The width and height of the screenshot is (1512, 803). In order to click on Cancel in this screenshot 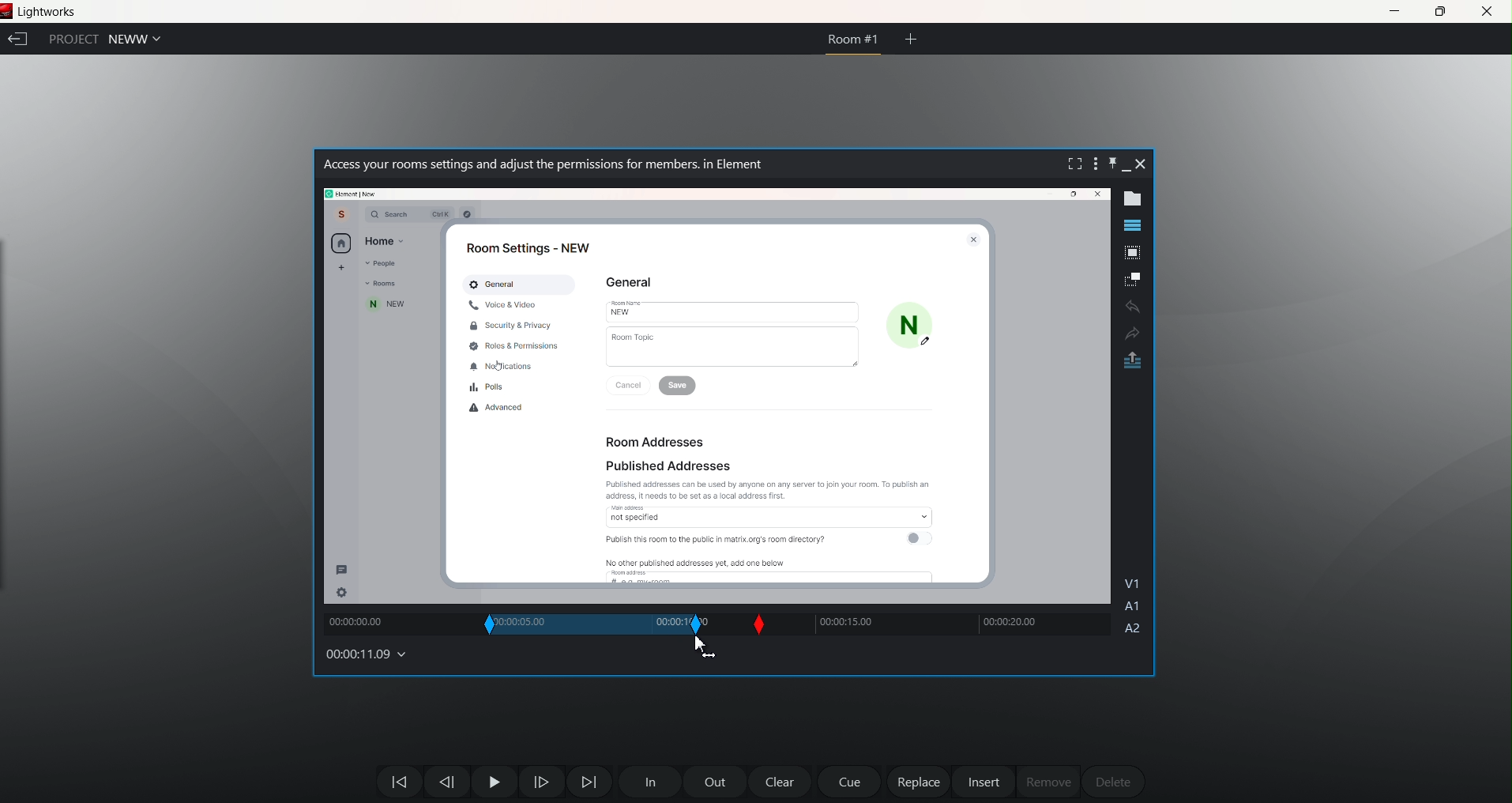, I will do `click(630, 383)`.